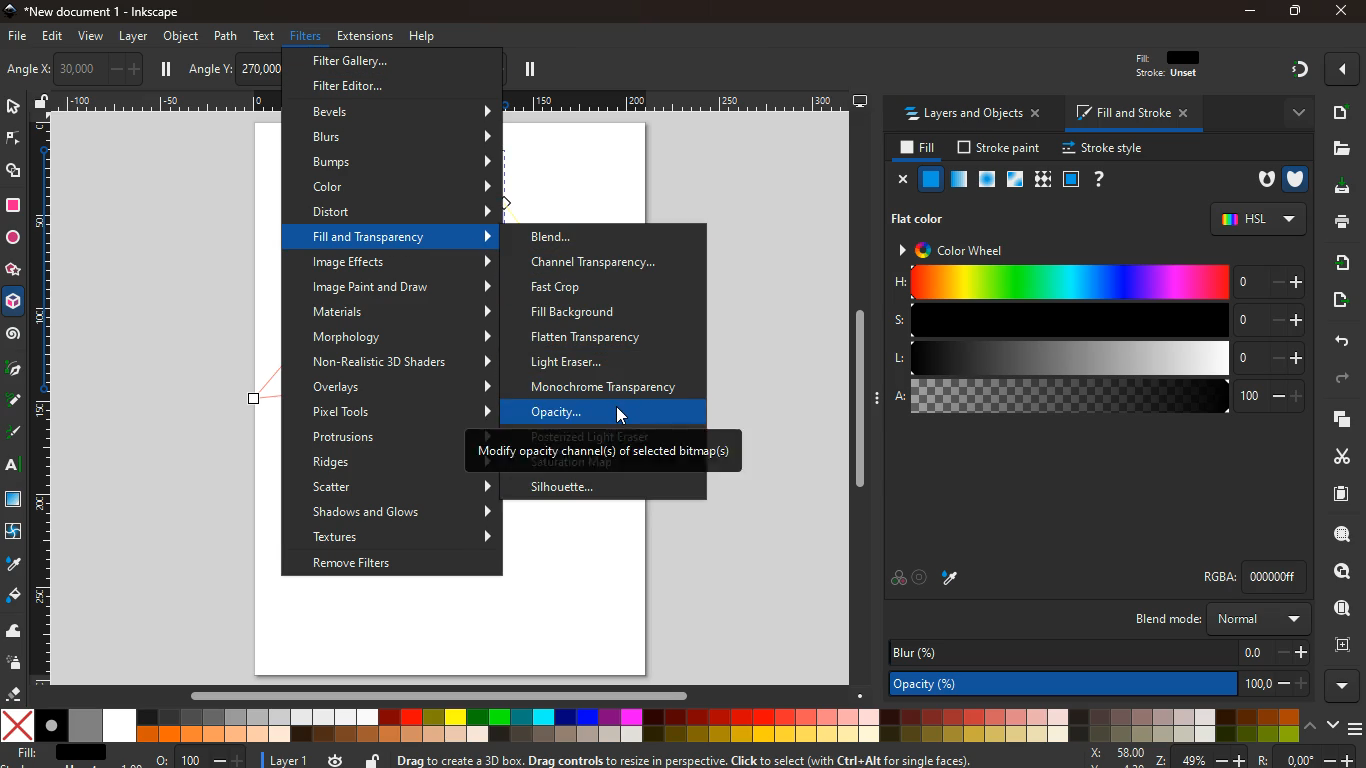 The image size is (1366, 768). What do you see at coordinates (383, 439) in the screenshot?
I see `protrusions` at bounding box center [383, 439].